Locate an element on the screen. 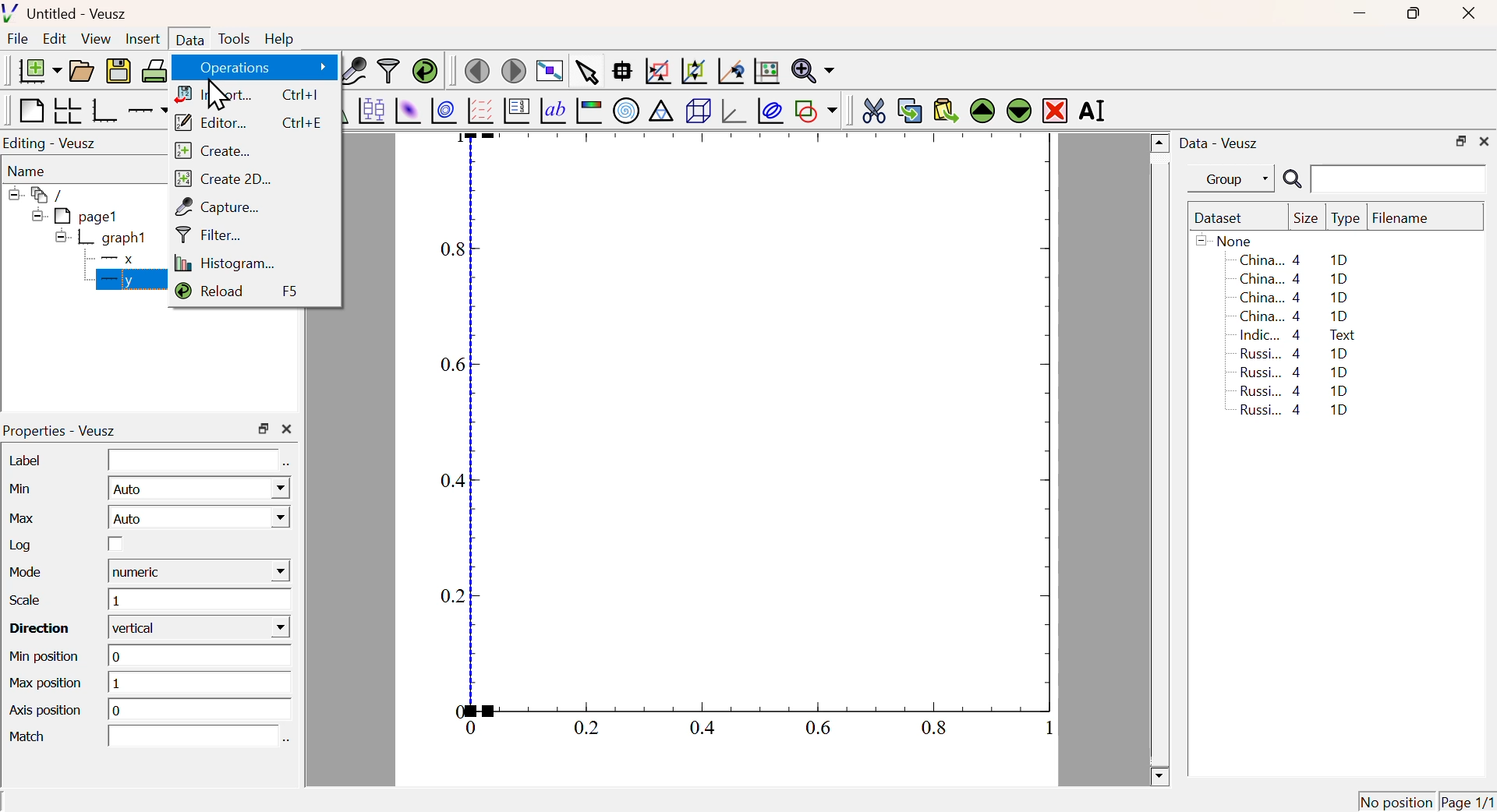 This screenshot has height=812, width=1497. Page 1/1 is located at coordinates (1466, 801).